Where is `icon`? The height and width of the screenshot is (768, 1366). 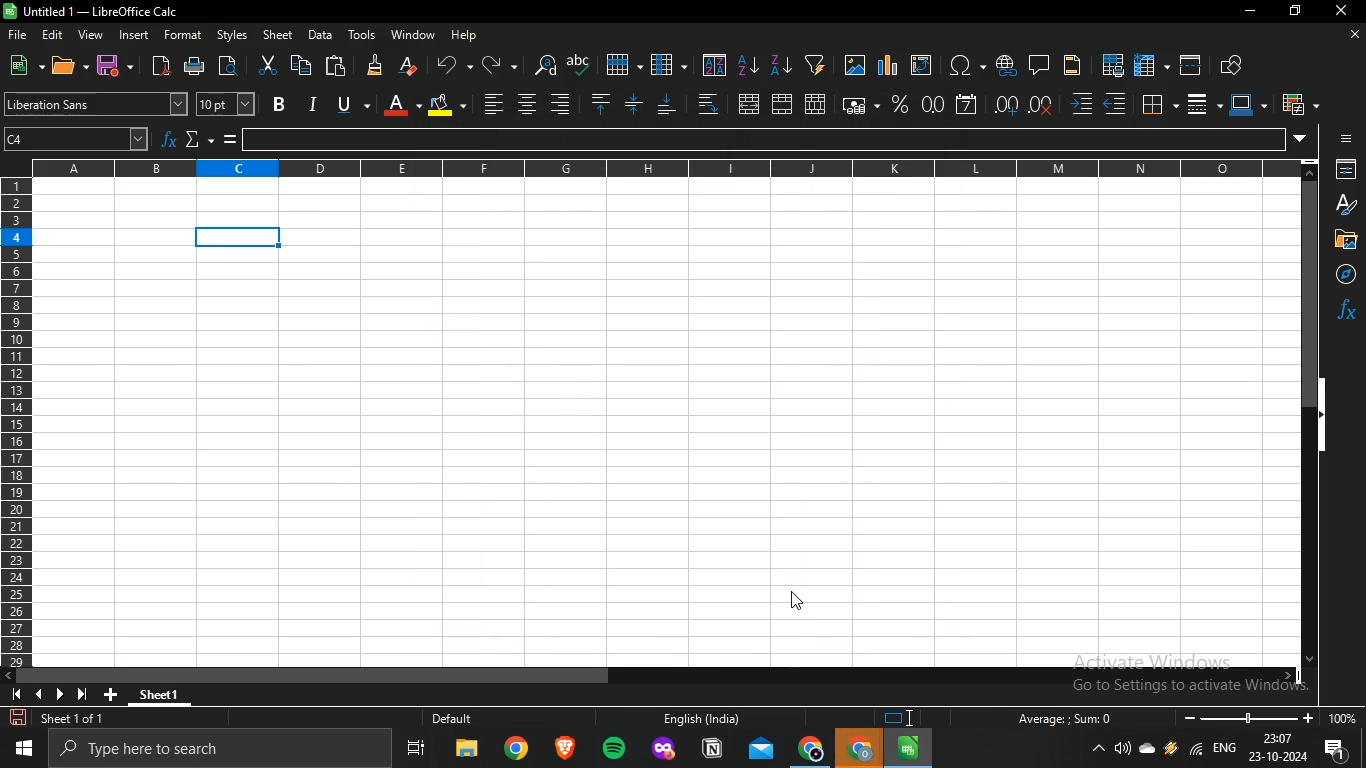 icon is located at coordinates (1348, 139).